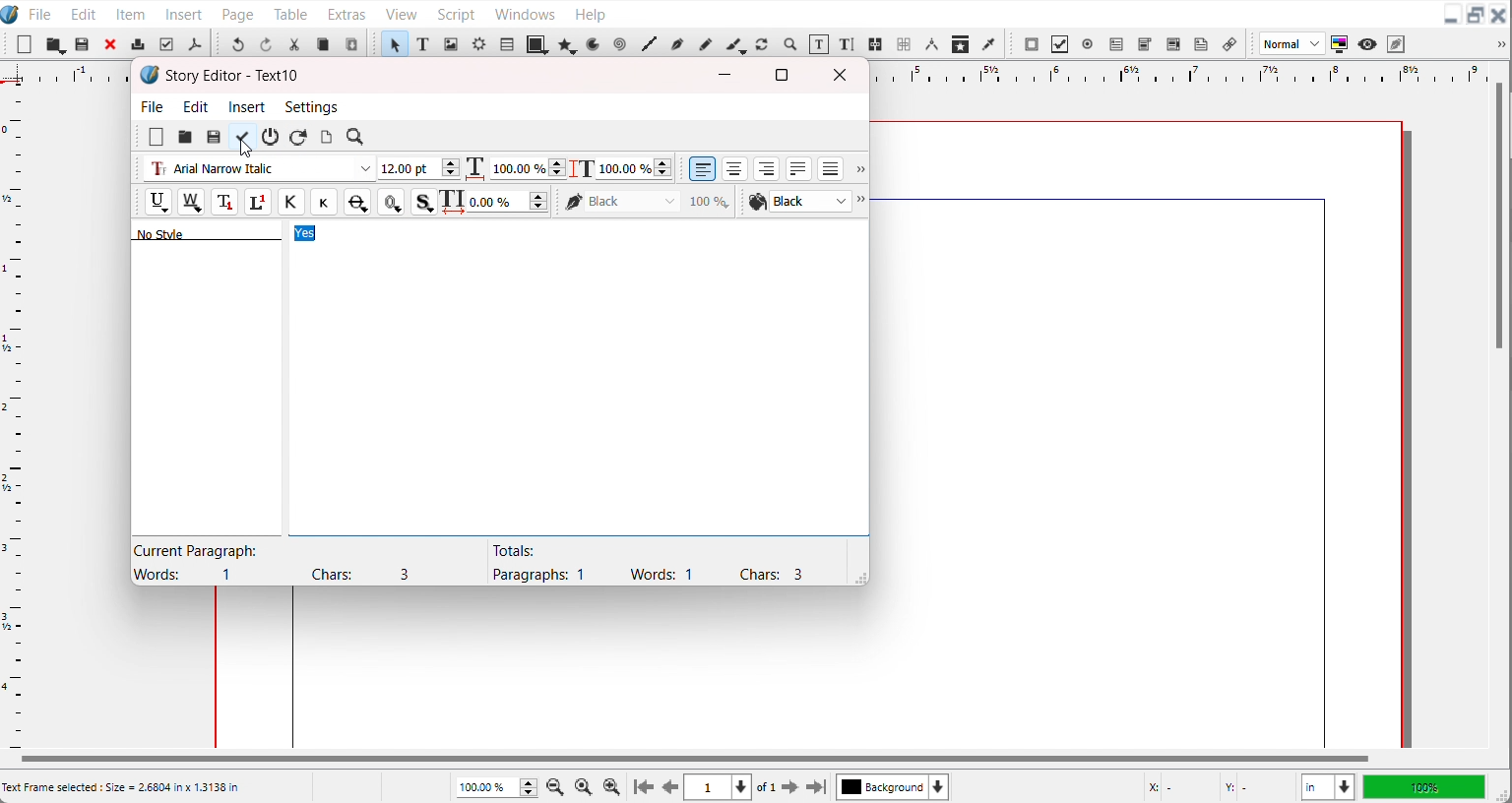 This screenshot has width=1512, height=803. What do you see at coordinates (1173, 73) in the screenshot?
I see `Horizontal scale` at bounding box center [1173, 73].